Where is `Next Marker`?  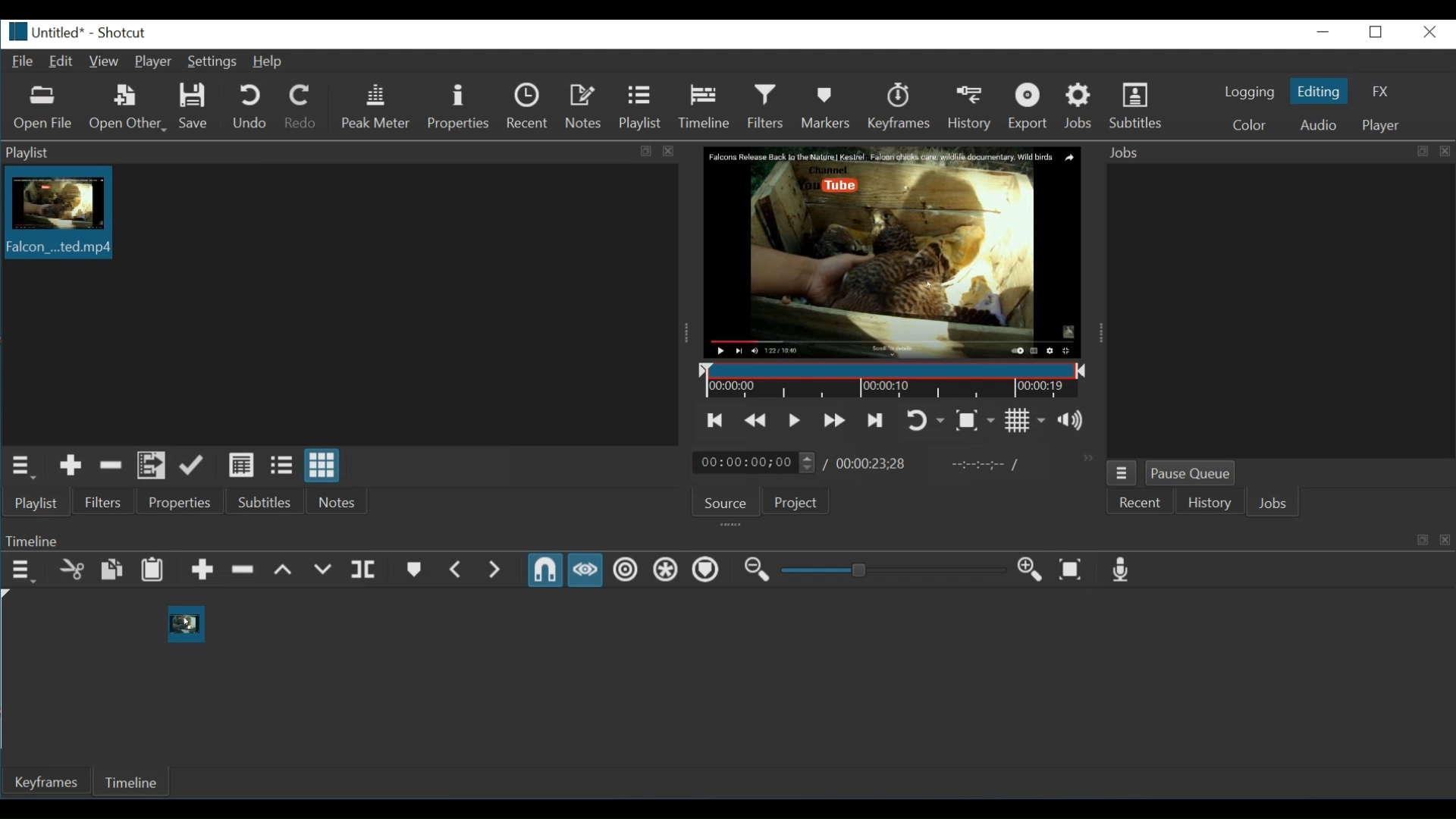
Next Marker is located at coordinates (497, 570).